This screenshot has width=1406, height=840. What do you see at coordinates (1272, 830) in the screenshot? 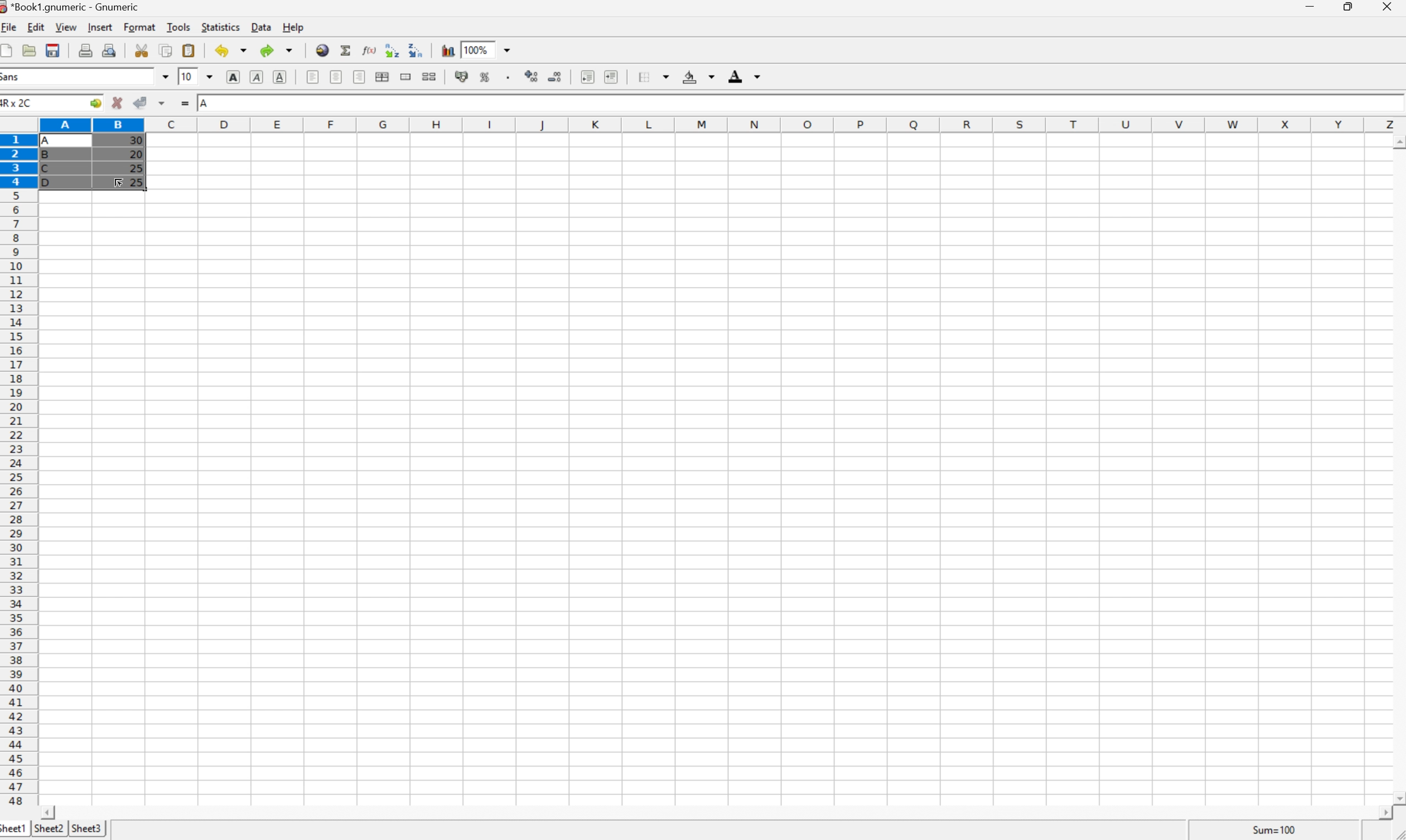
I see `Sum = 0` at bounding box center [1272, 830].